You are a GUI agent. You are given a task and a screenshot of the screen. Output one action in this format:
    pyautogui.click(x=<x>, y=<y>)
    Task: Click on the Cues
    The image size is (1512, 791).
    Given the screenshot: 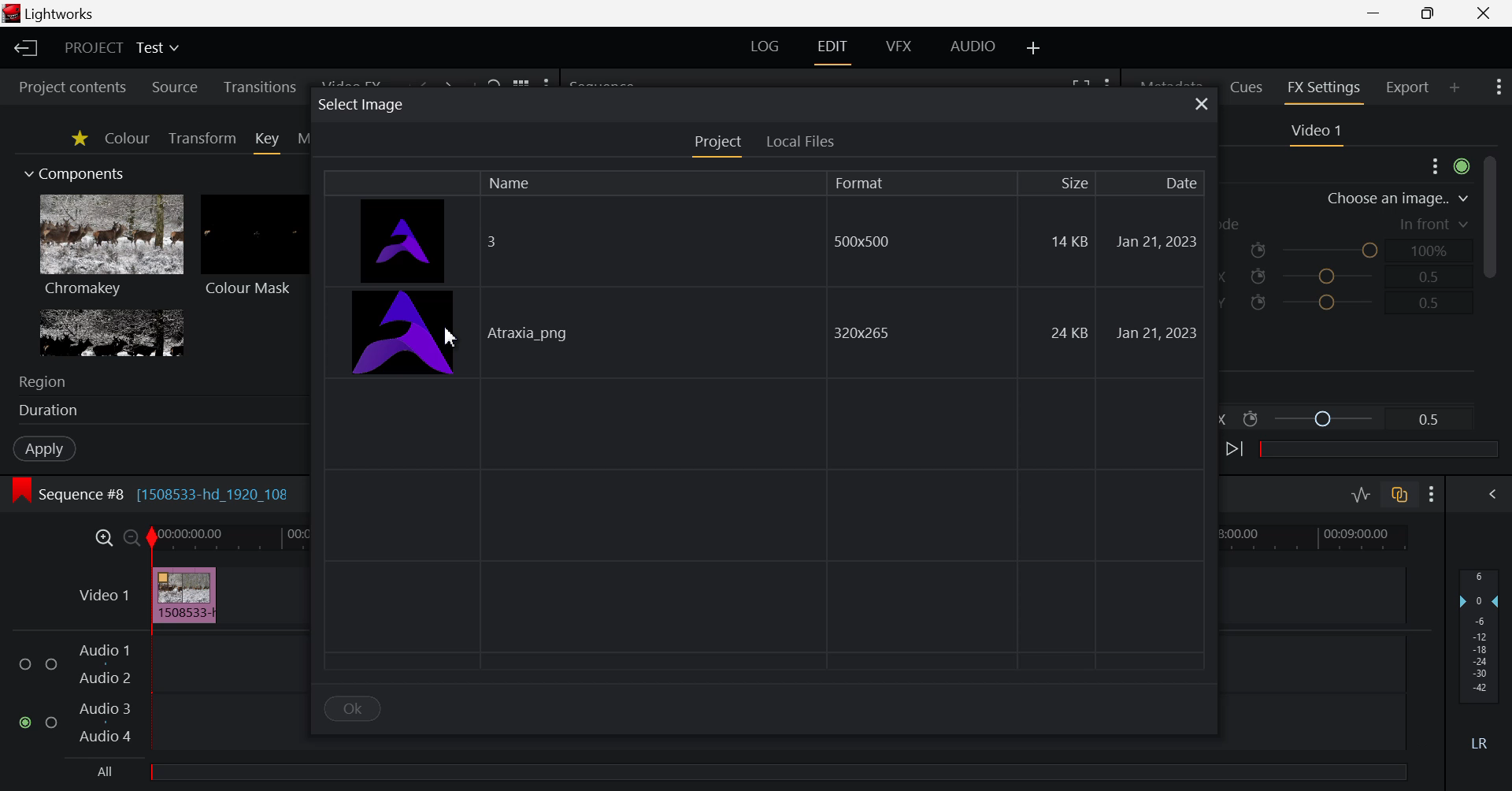 What is the action you would take?
    pyautogui.click(x=1243, y=87)
    